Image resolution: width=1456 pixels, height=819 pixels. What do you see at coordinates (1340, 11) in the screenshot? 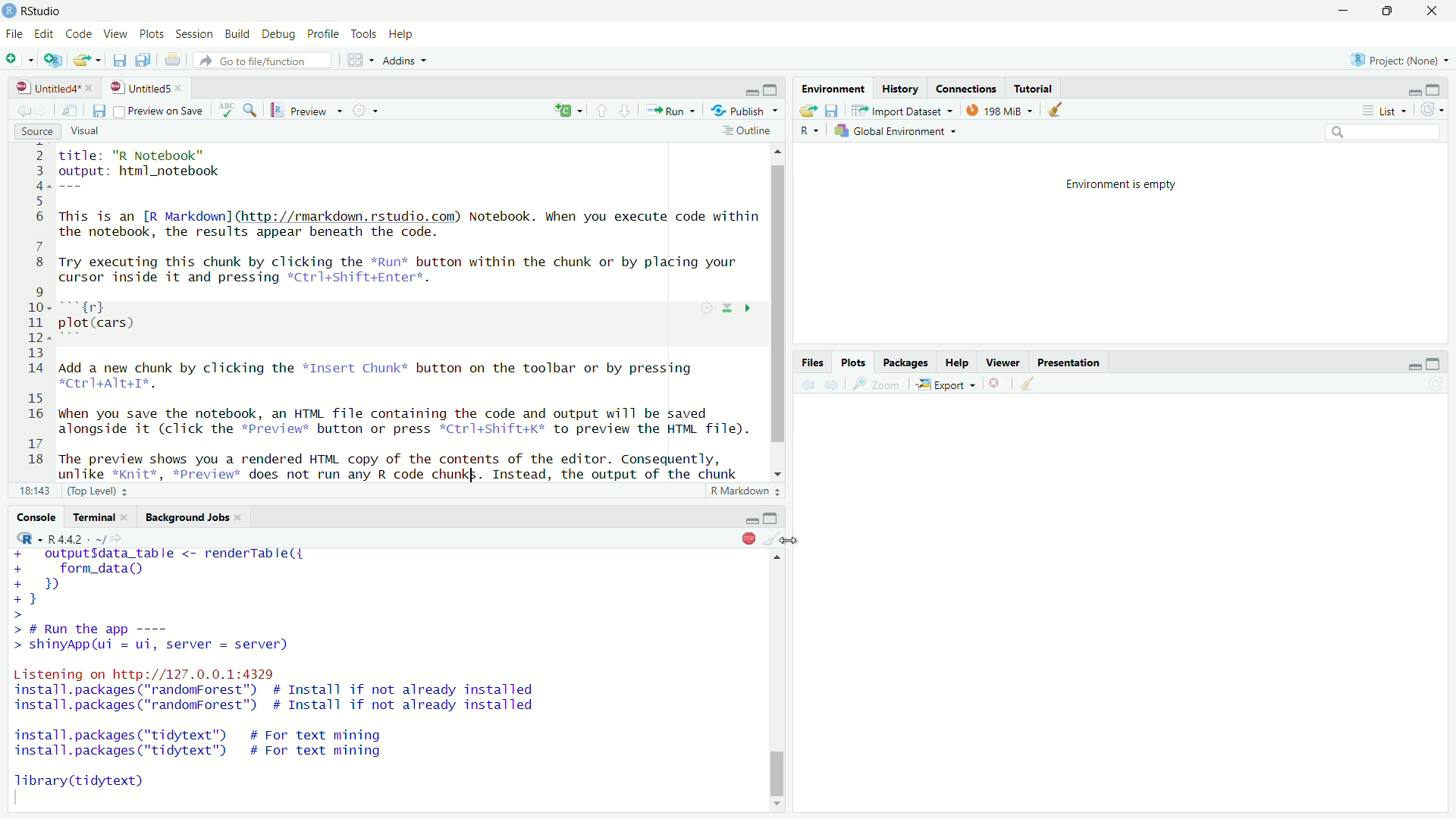
I see `minimise` at bounding box center [1340, 11].